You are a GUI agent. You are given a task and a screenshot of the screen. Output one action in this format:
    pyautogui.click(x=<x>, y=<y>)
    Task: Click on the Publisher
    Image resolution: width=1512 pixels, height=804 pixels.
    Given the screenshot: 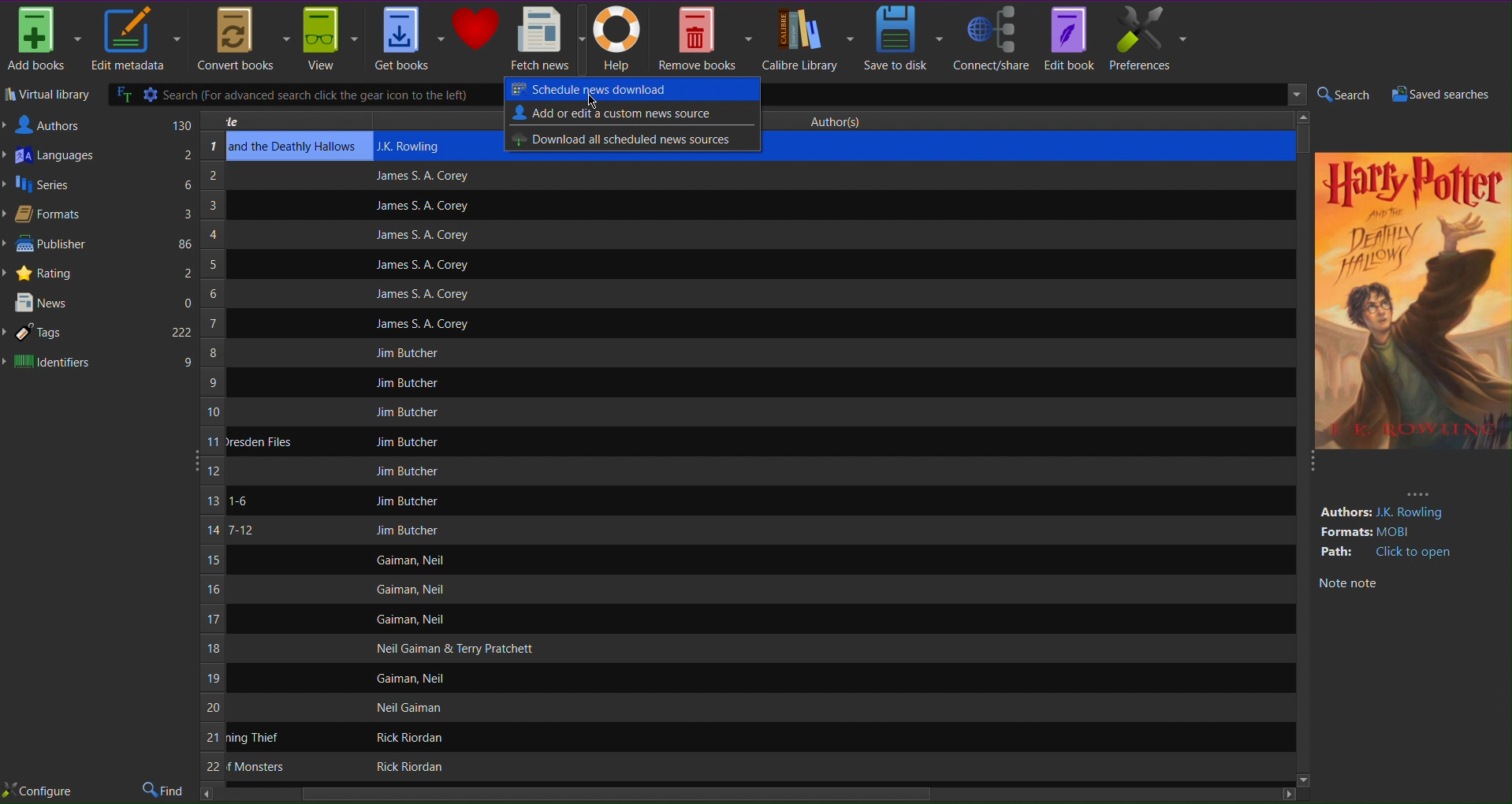 What is the action you would take?
    pyautogui.click(x=99, y=245)
    